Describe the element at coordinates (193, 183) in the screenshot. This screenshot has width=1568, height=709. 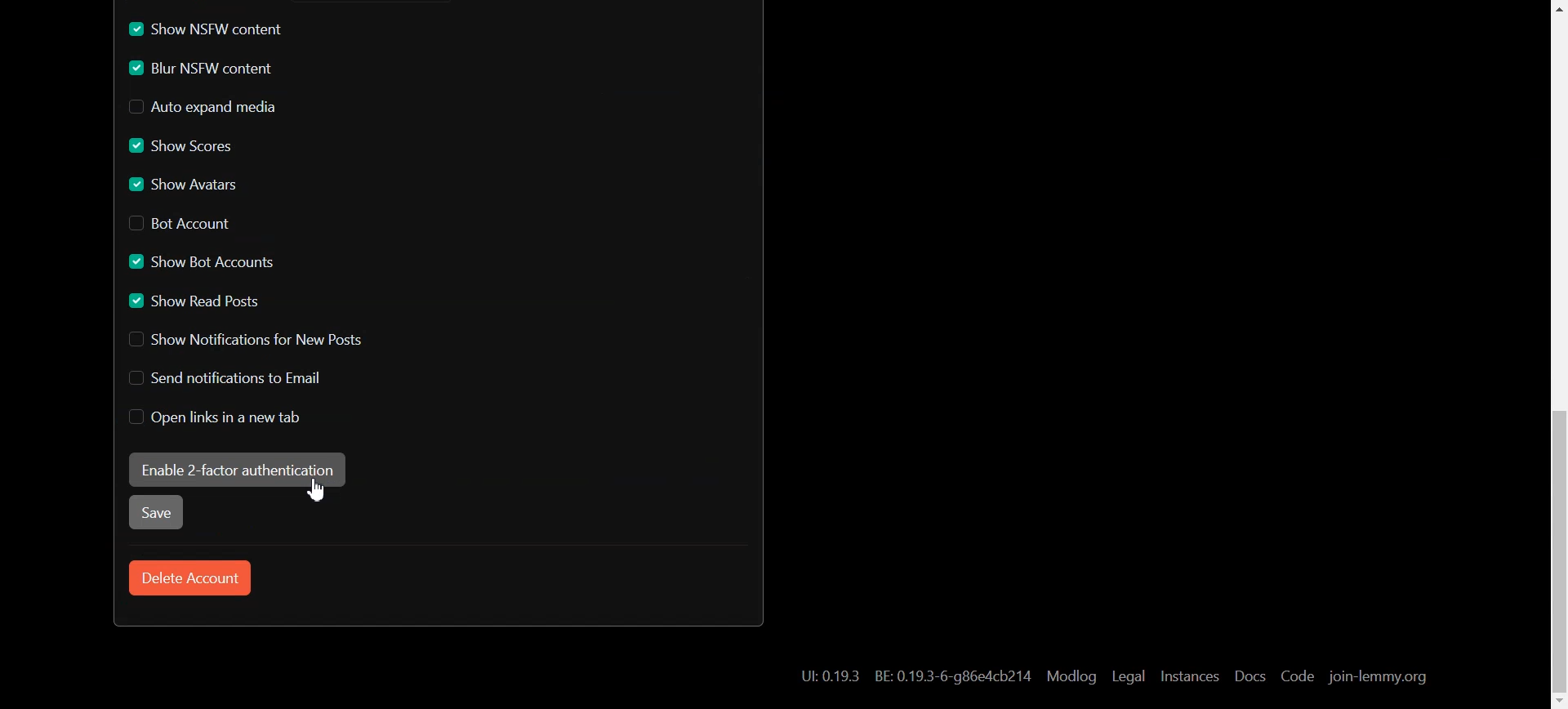
I see `Enable Show Avatars` at that location.